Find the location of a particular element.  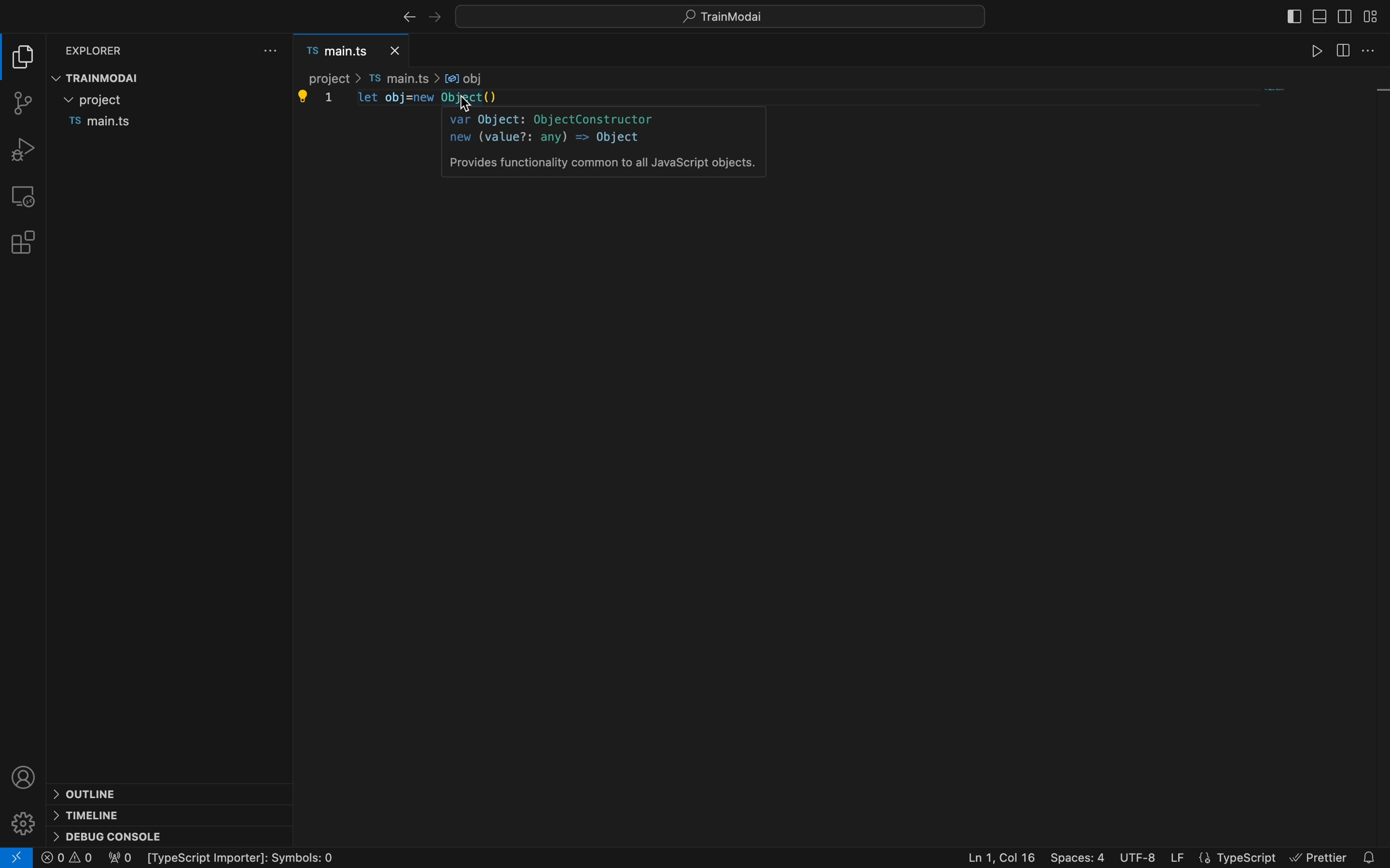

run is located at coordinates (1315, 51).